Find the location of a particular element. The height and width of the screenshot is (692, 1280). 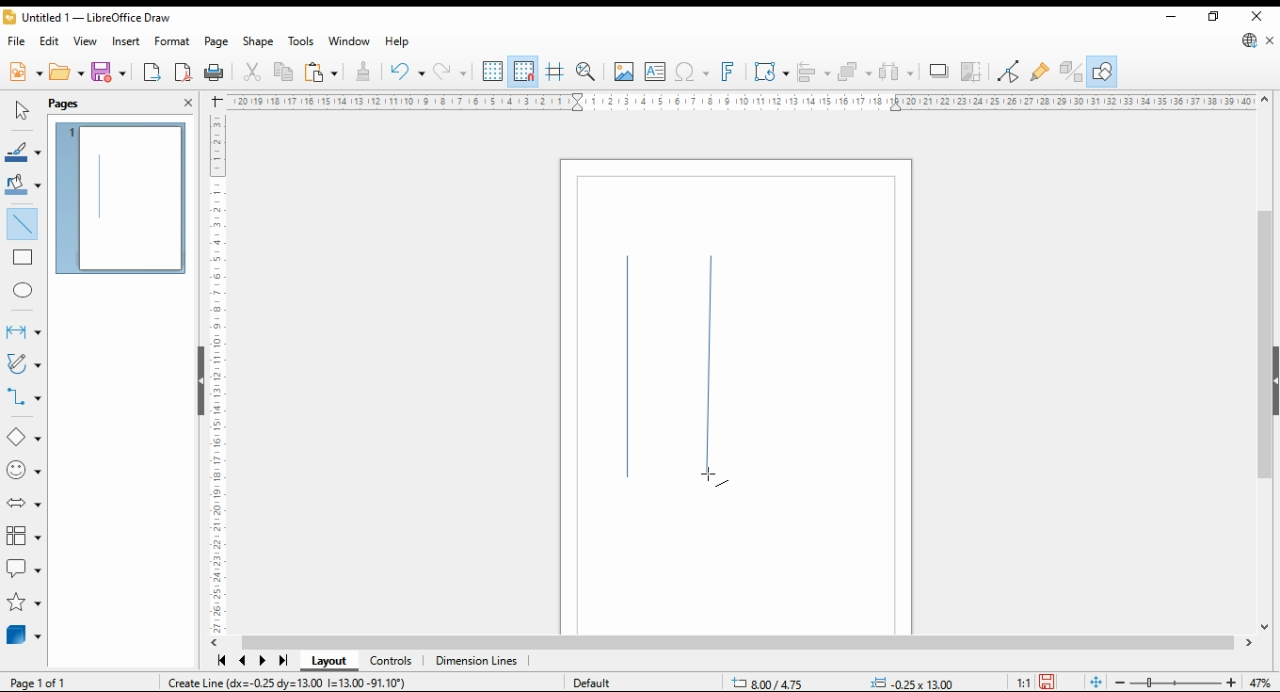

fill color is located at coordinates (22, 183).